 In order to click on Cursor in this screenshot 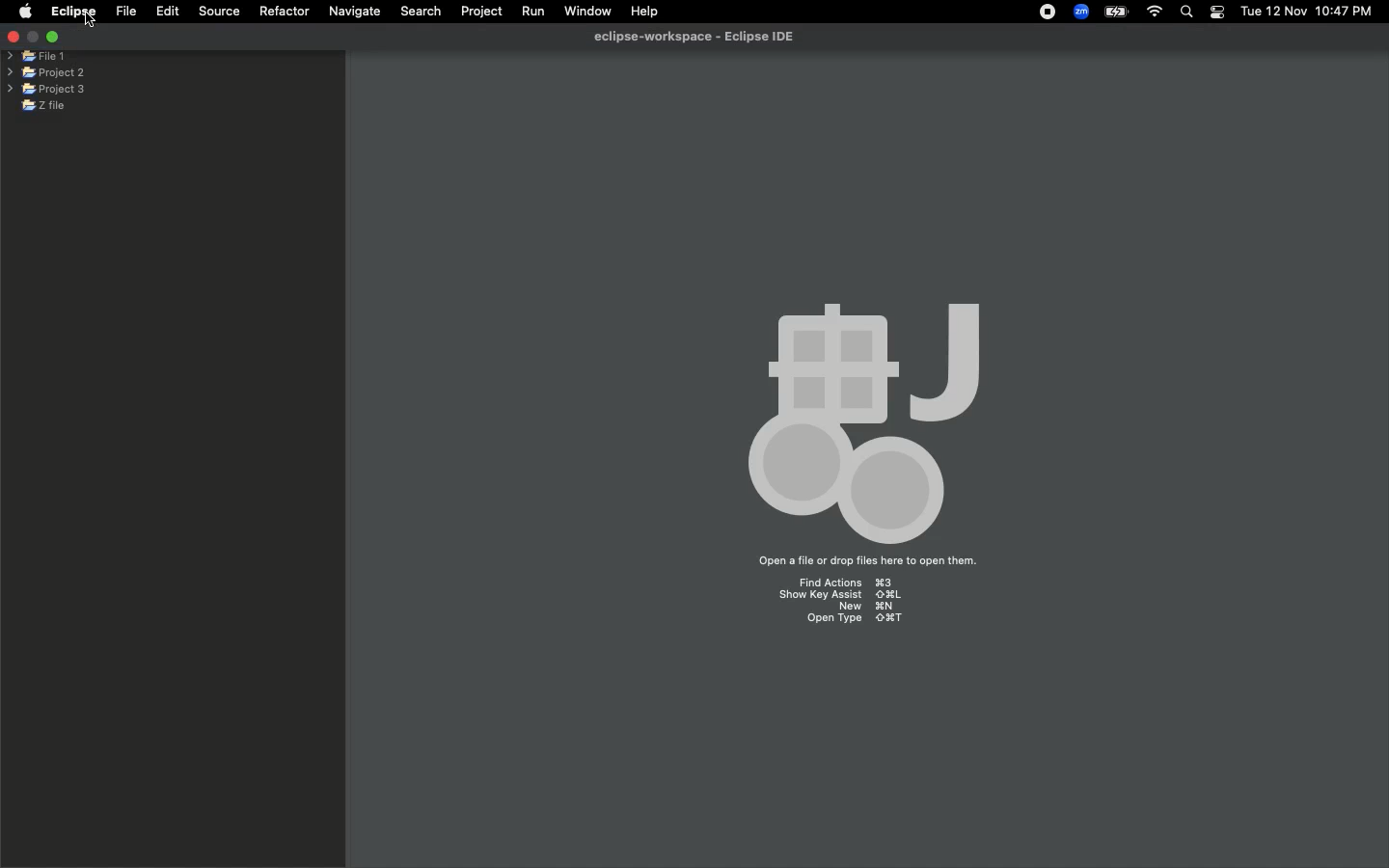, I will do `click(90, 21)`.